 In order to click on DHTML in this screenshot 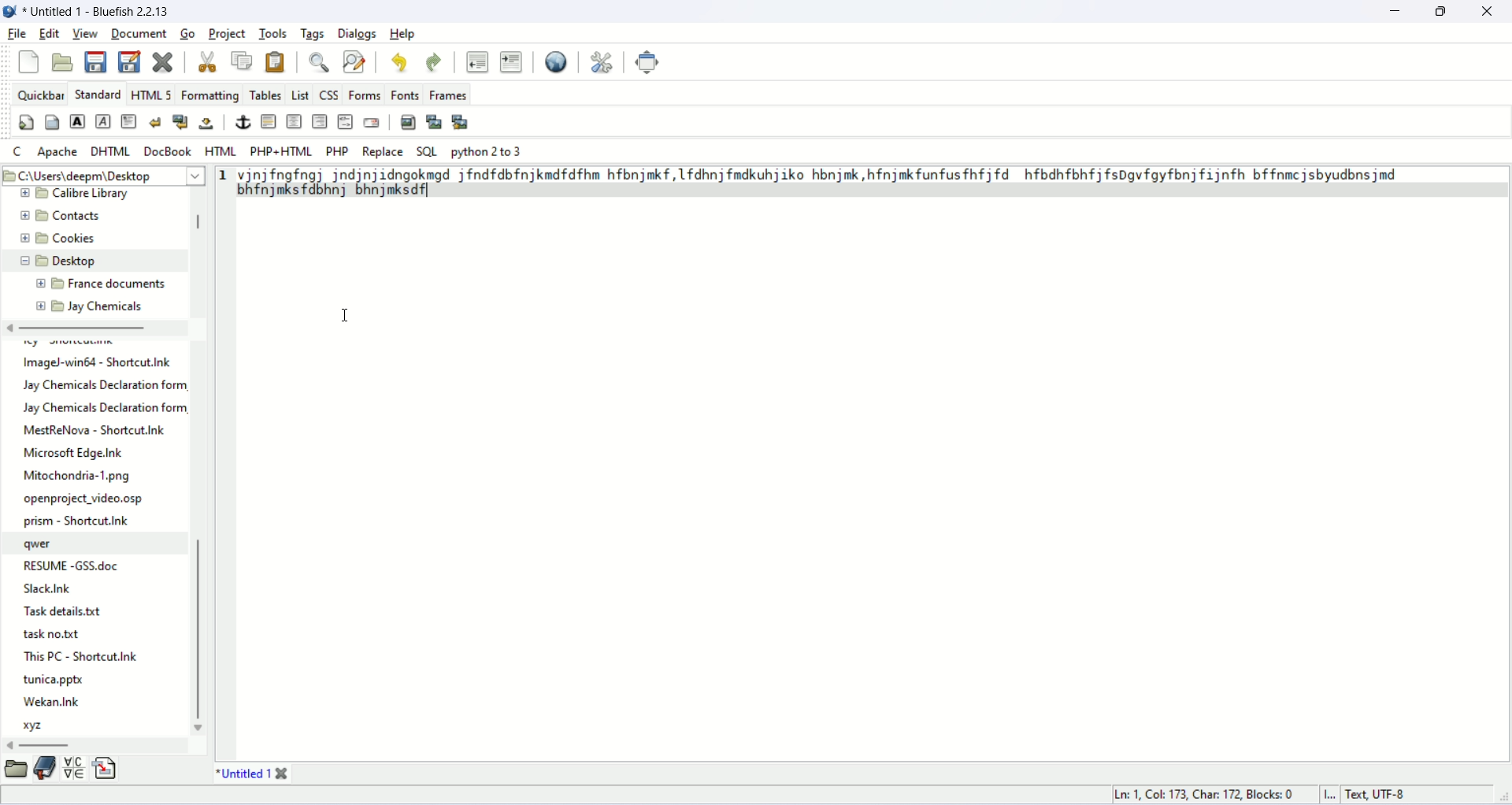, I will do `click(110, 151)`.